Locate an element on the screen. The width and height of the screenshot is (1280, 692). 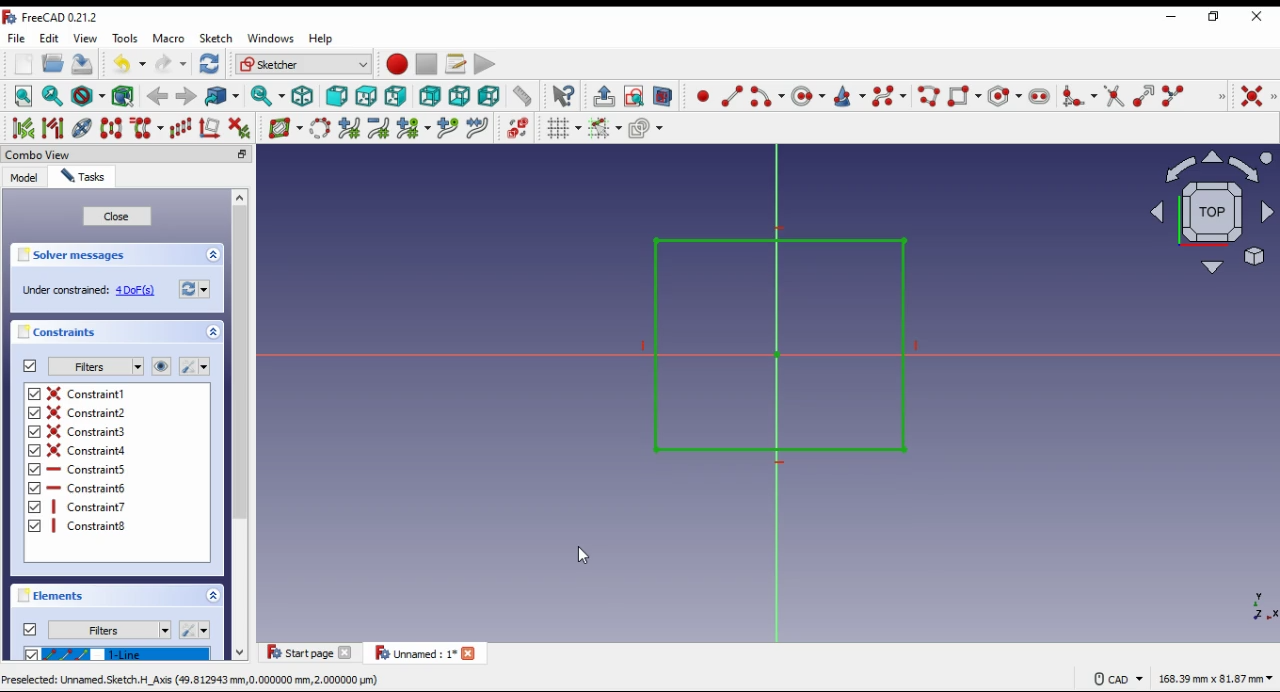
insert knot is located at coordinates (447, 129).